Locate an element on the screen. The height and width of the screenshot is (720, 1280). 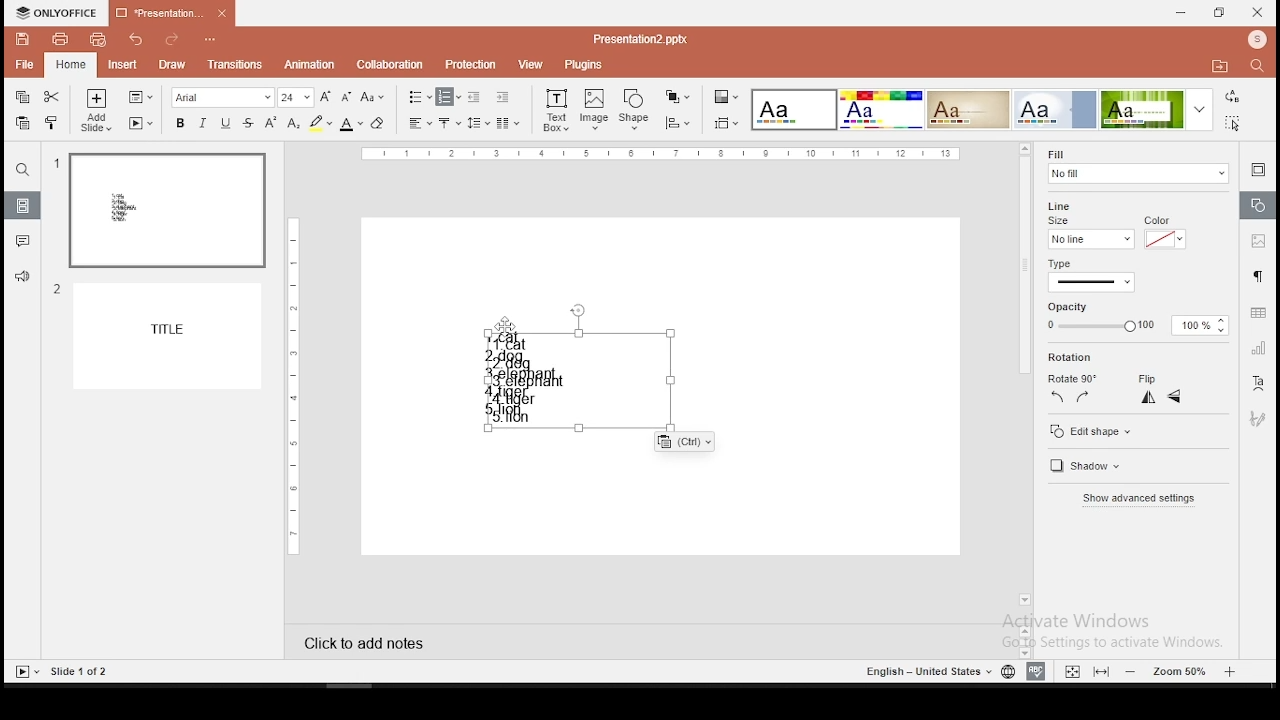
theme is located at coordinates (881, 110).